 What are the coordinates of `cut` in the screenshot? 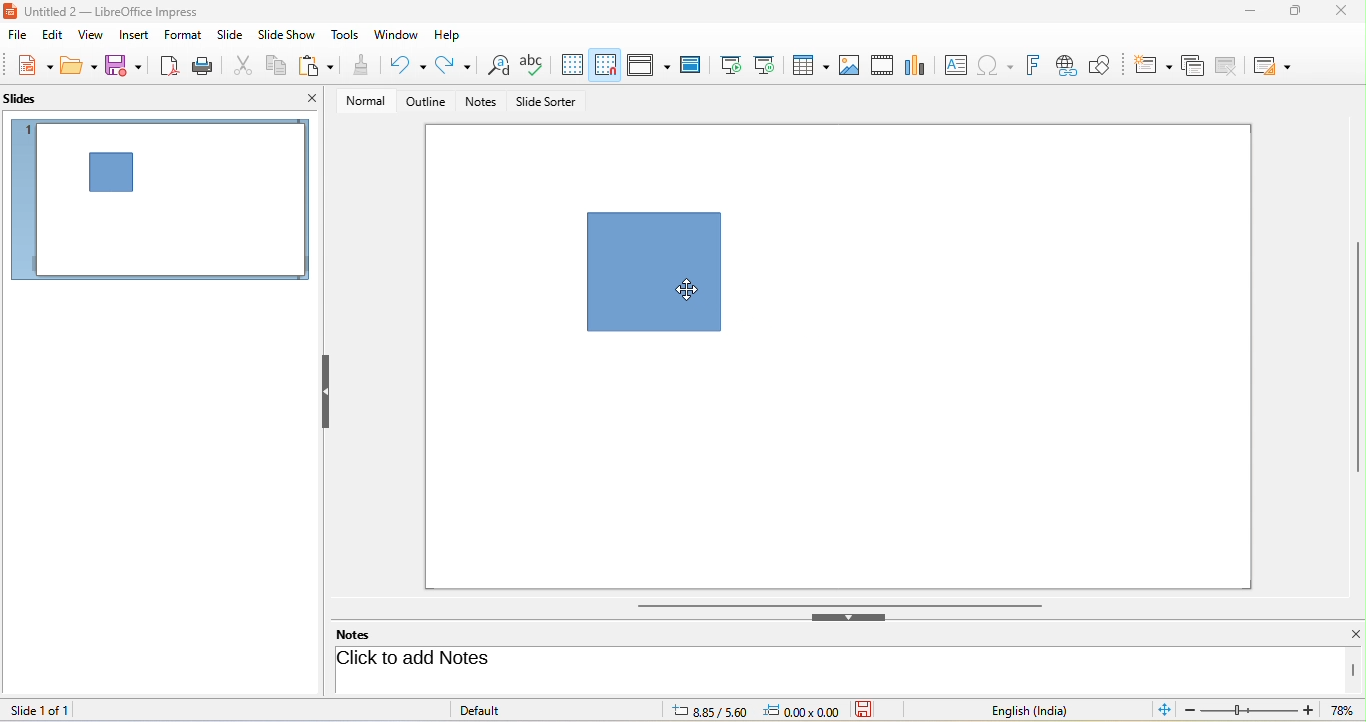 It's located at (245, 64).